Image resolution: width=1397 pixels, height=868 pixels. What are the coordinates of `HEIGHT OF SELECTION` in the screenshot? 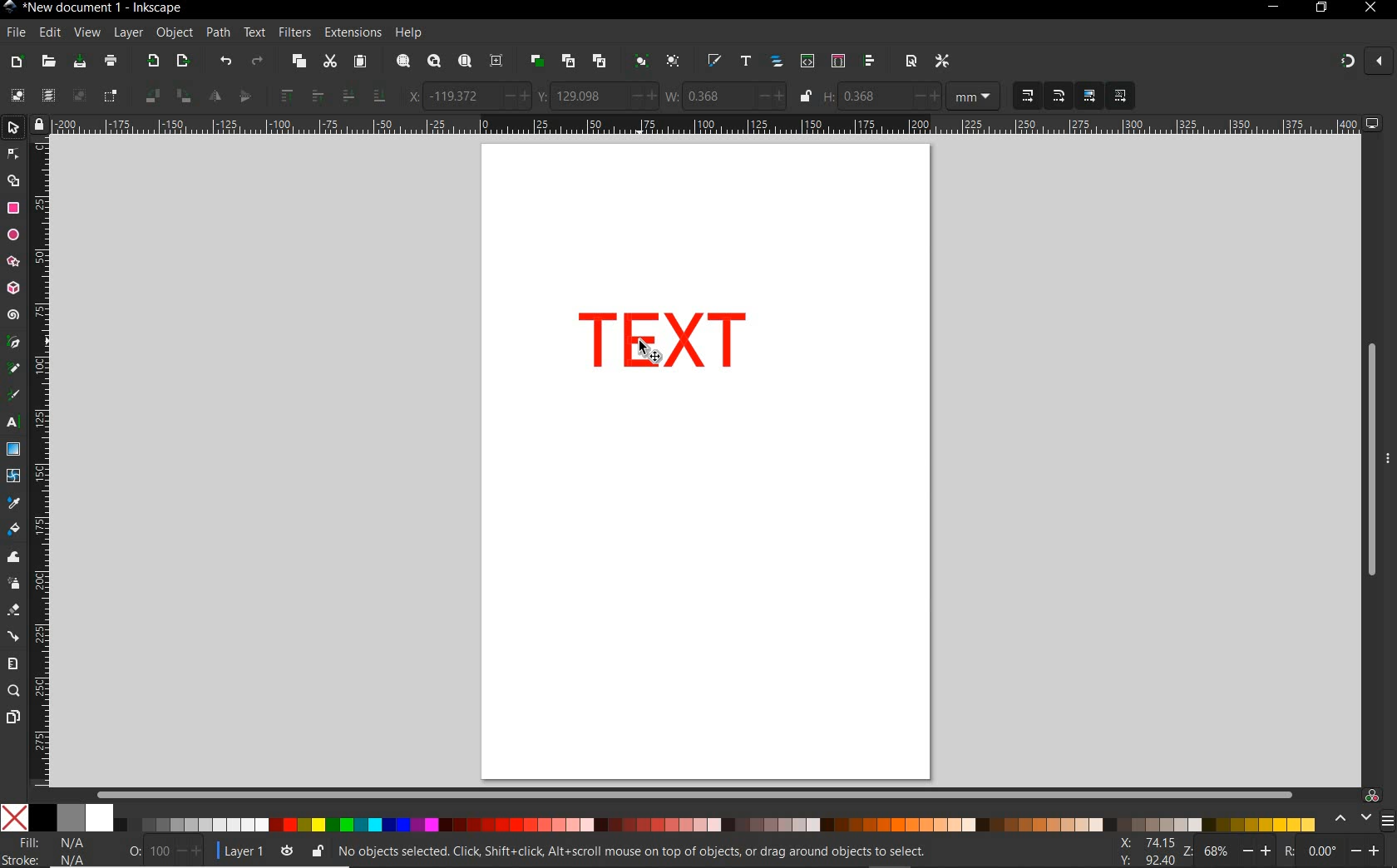 It's located at (881, 97).